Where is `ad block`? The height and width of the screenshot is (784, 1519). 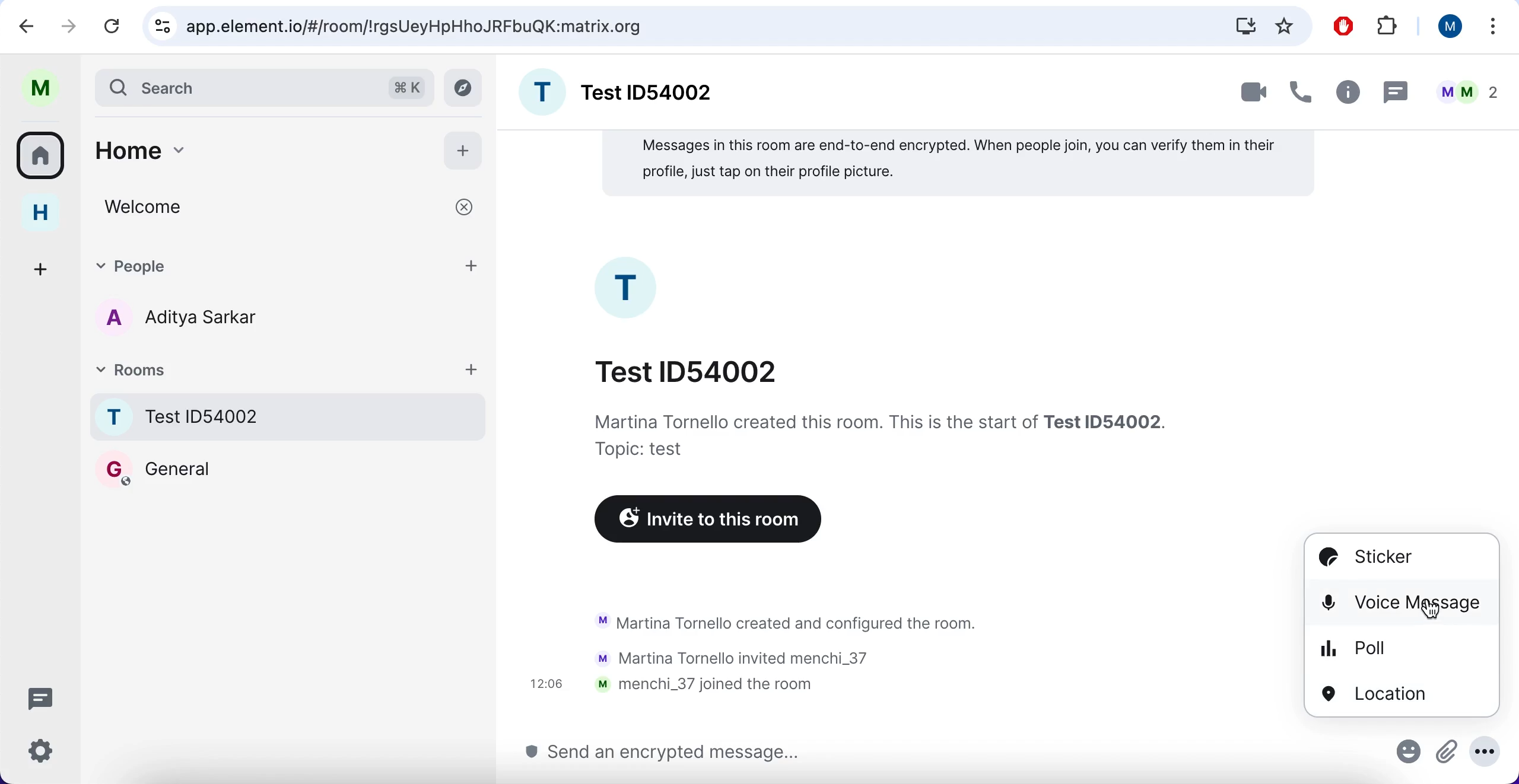
ad block is located at coordinates (1342, 25).